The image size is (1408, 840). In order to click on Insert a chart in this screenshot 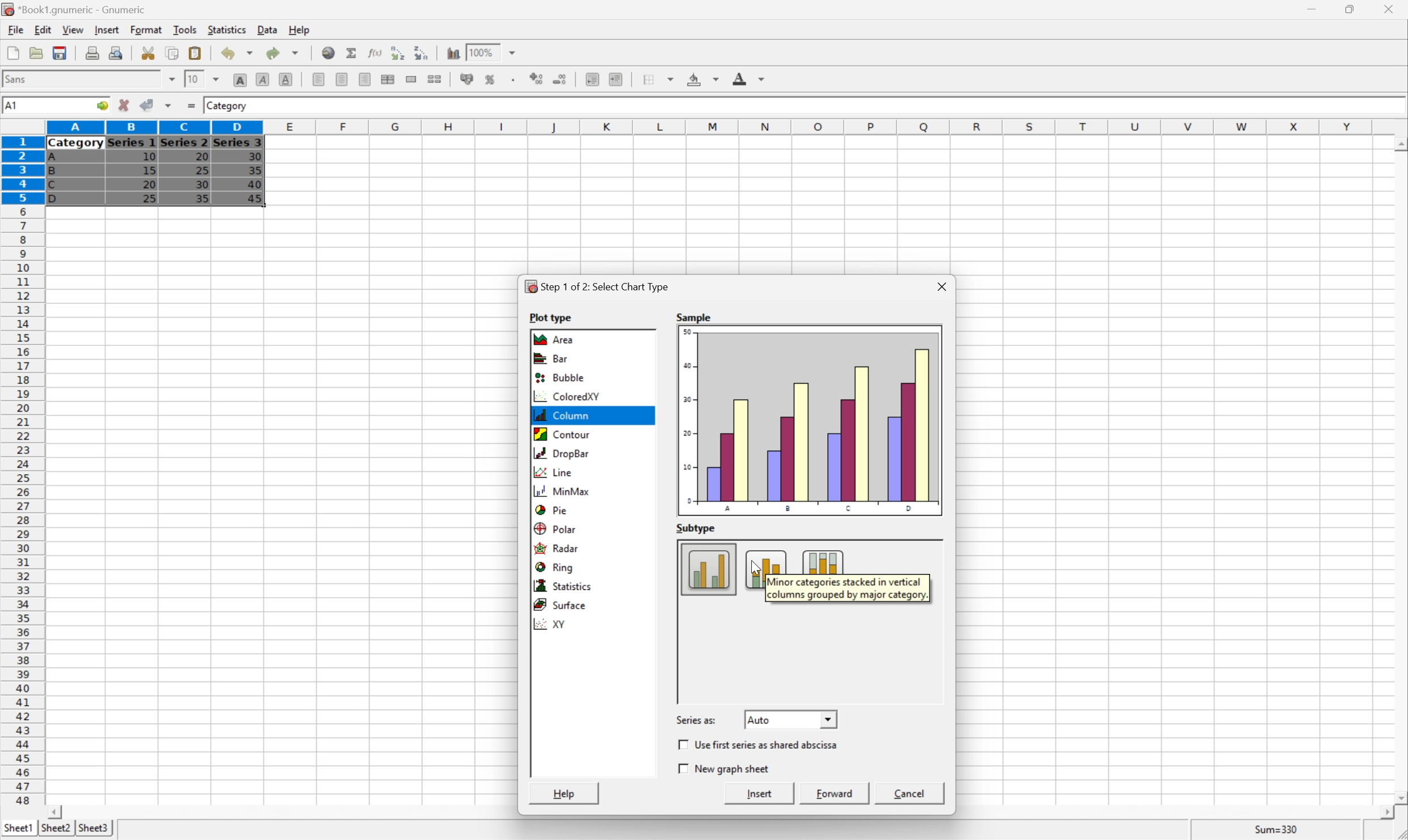, I will do `click(501, 77)`.